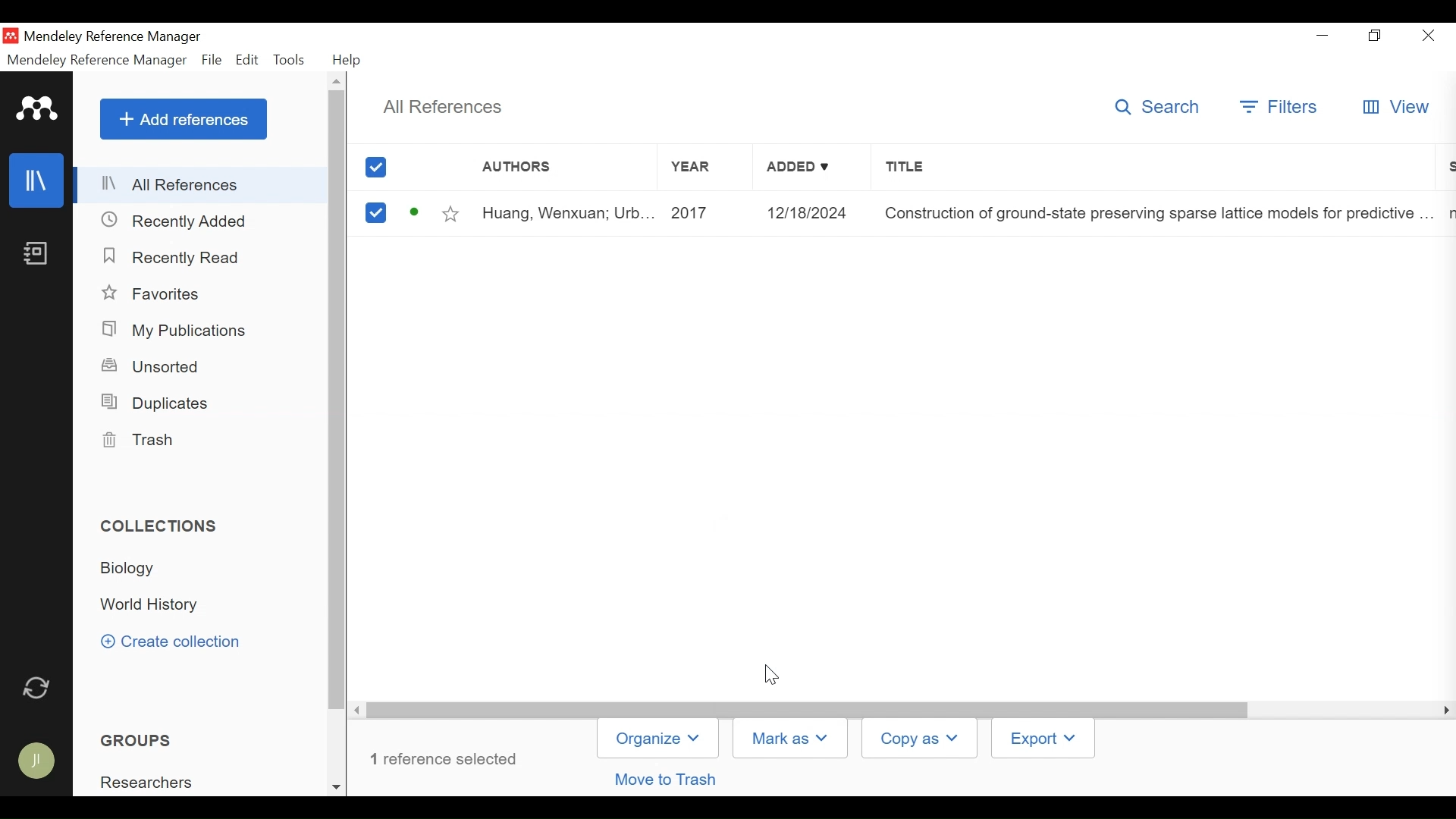 The width and height of the screenshot is (1456, 819). Describe the element at coordinates (808, 708) in the screenshot. I see `Vertical Scroll bar` at that location.